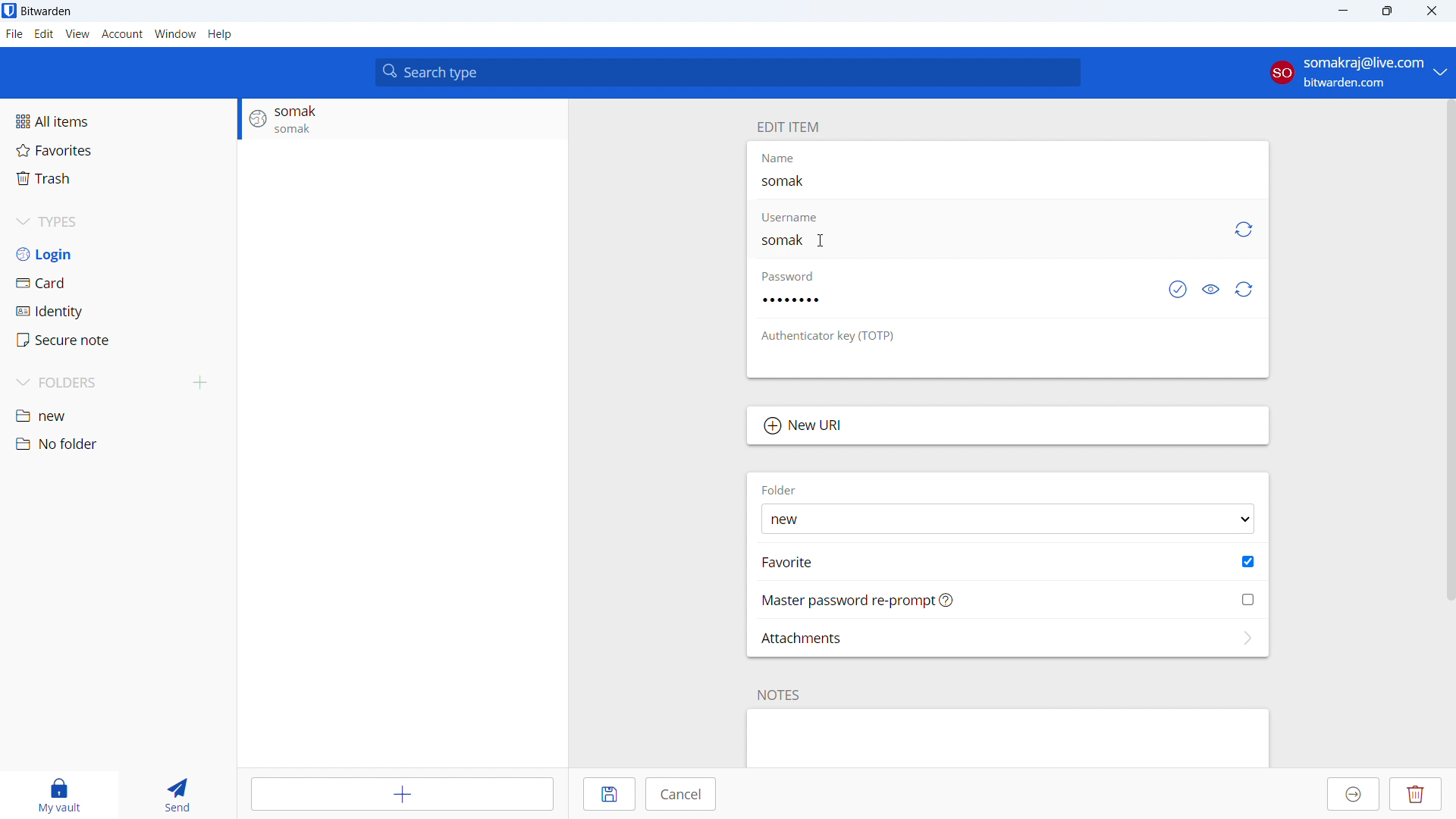  What do you see at coordinates (1430, 11) in the screenshot?
I see `close` at bounding box center [1430, 11].